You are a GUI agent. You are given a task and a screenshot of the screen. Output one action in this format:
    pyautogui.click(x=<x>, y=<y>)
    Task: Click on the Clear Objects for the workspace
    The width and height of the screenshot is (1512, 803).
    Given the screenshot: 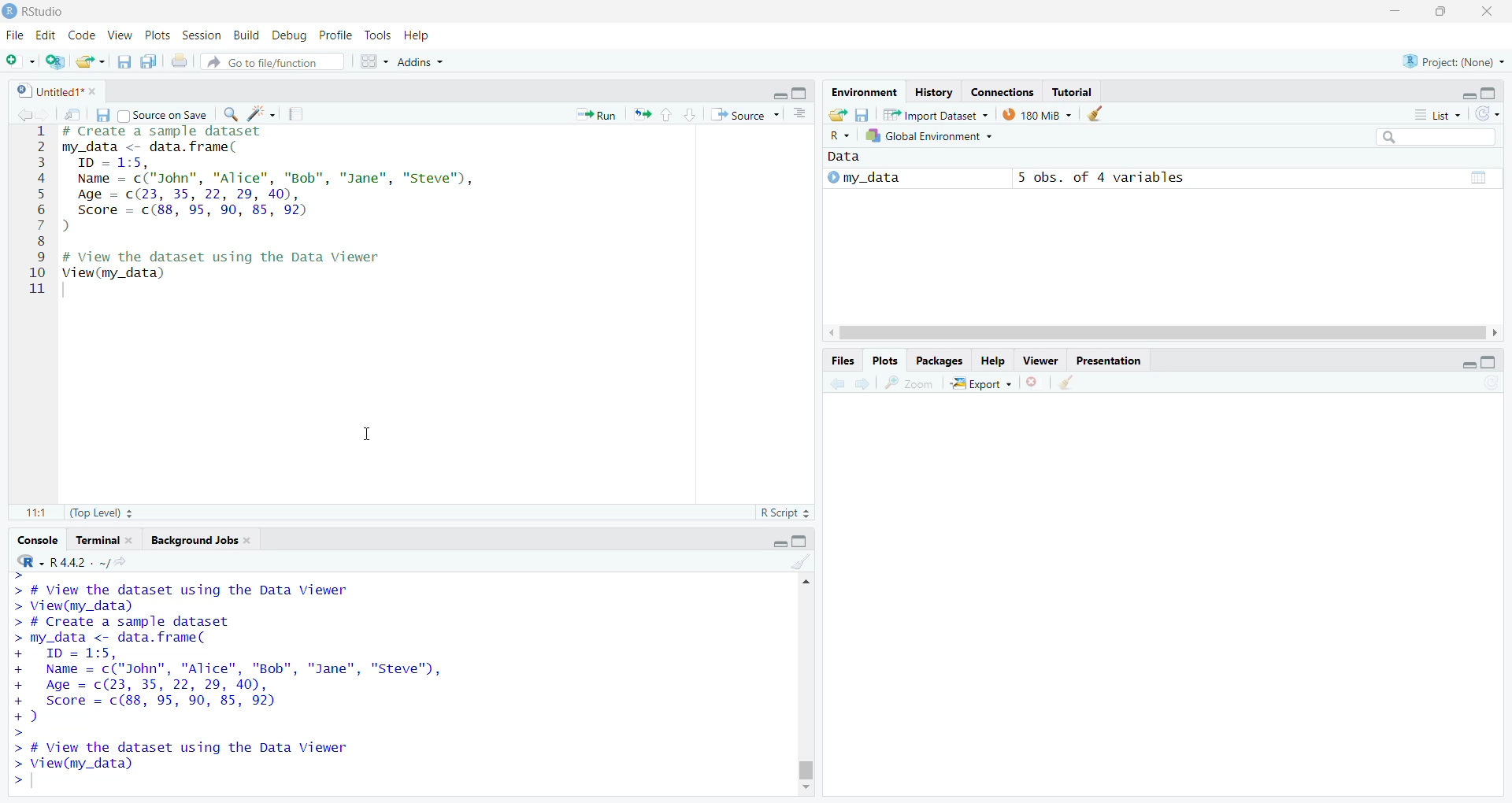 What is the action you would take?
    pyautogui.click(x=798, y=561)
    